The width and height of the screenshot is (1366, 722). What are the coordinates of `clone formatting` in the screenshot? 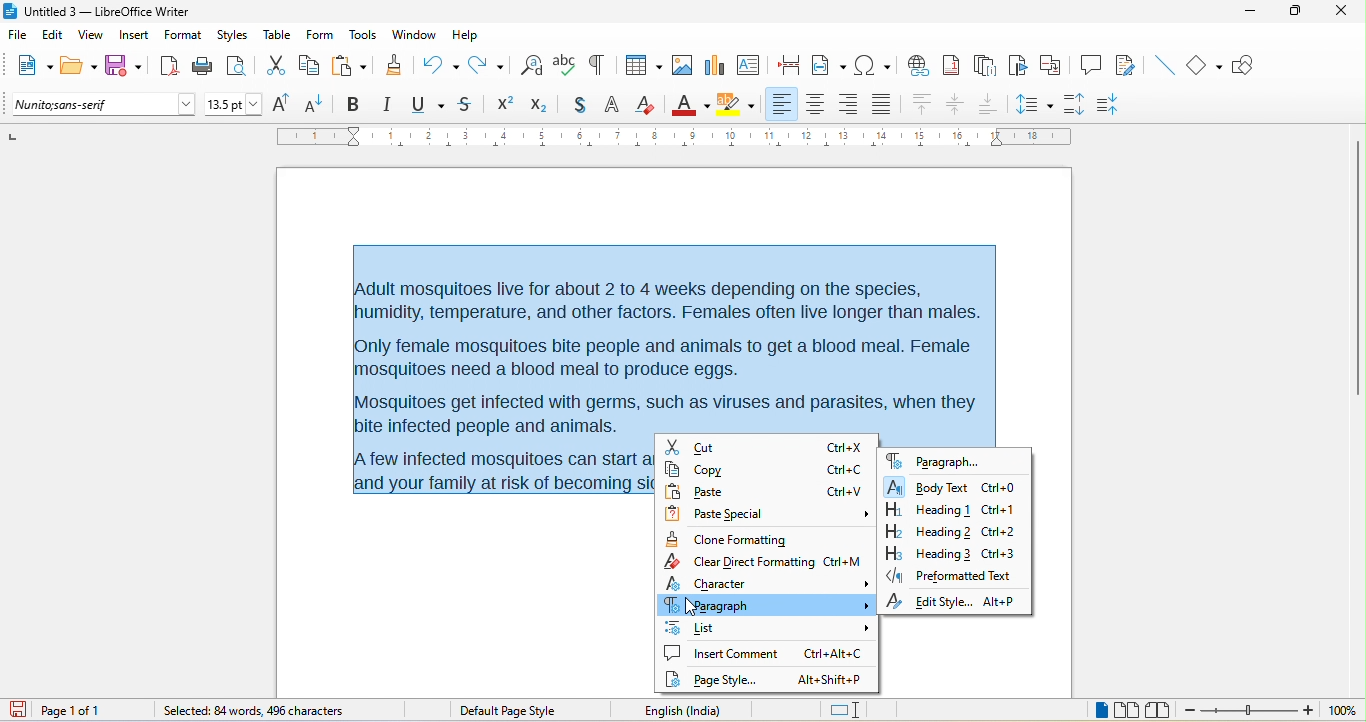 It's located at (393, 64).